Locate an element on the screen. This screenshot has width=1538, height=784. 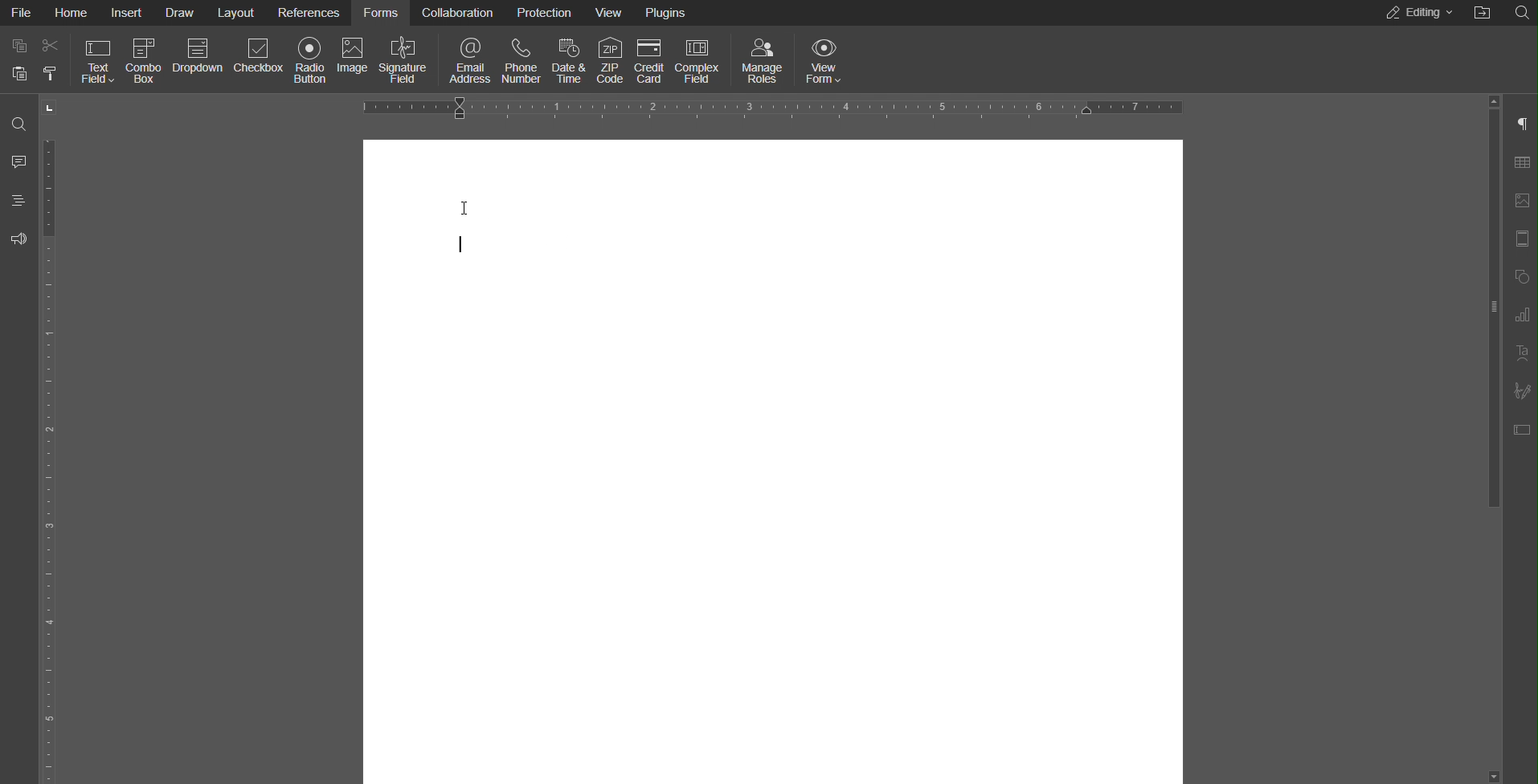
Graph Settings is located at coordinates (1517, 315).